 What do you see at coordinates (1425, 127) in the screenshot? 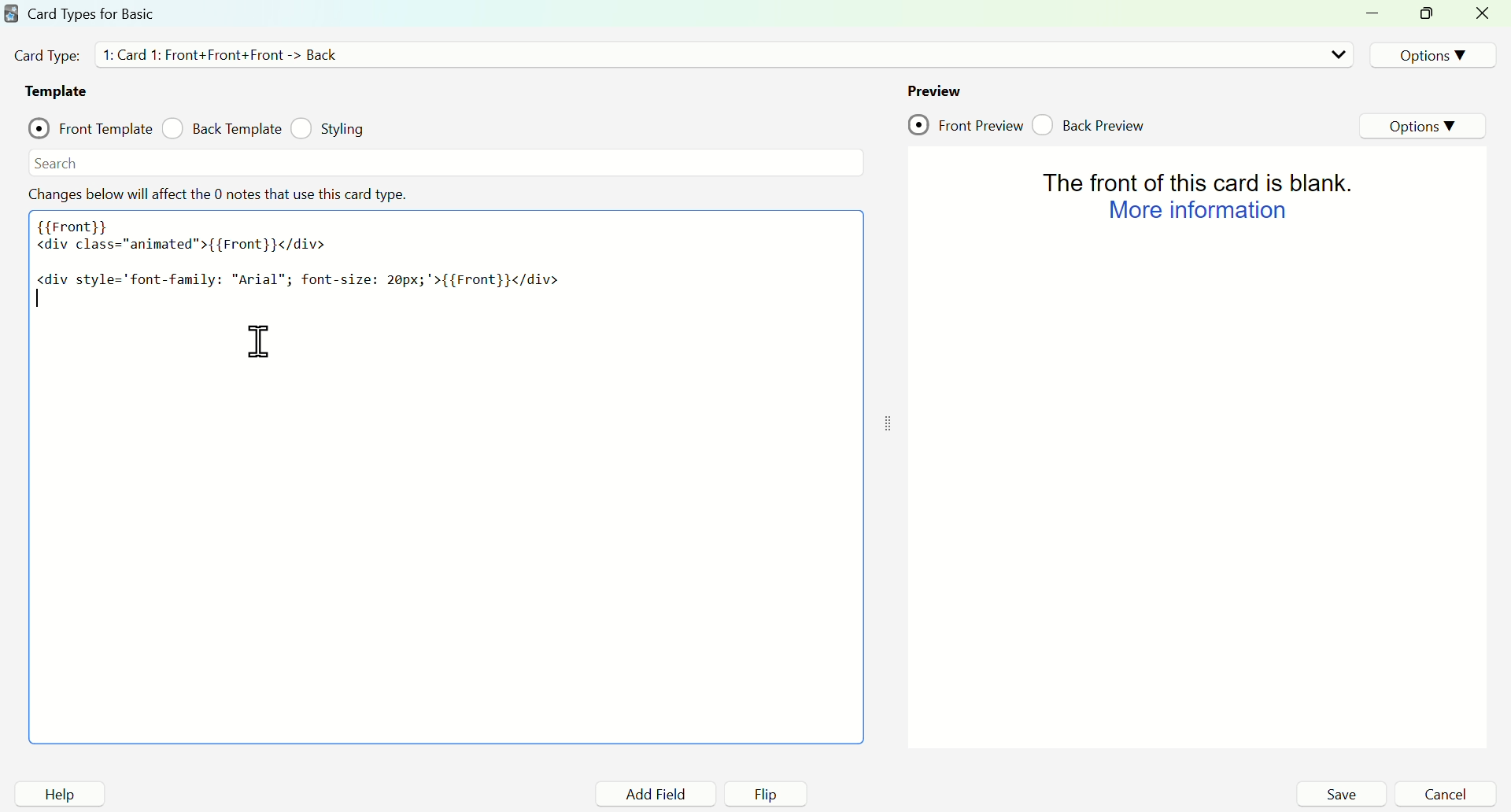
I see `Option` at bounding box center [1425, 127].